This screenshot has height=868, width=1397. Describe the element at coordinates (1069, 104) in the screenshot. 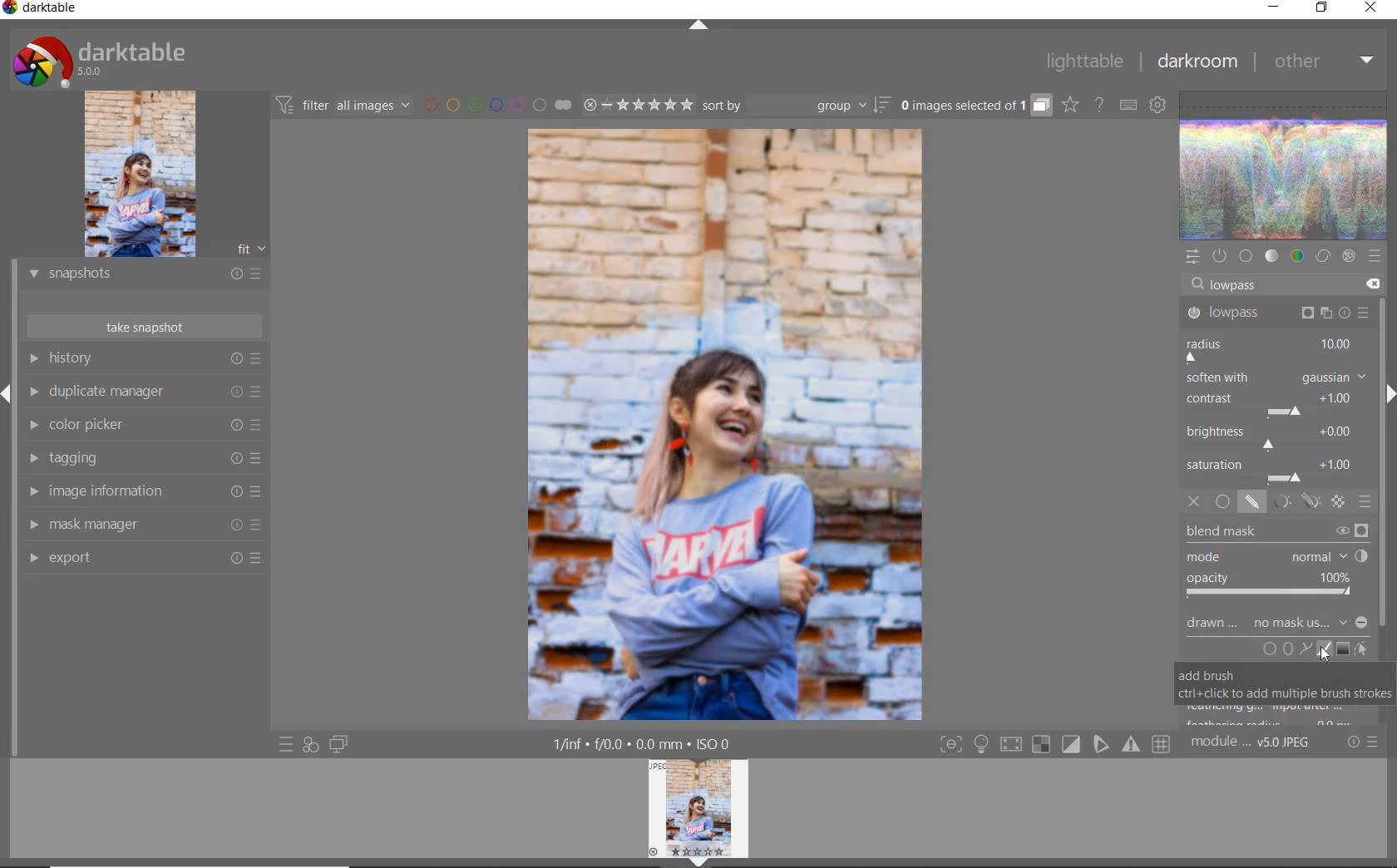

I see `click to change overlays on thumbnails` at that location.